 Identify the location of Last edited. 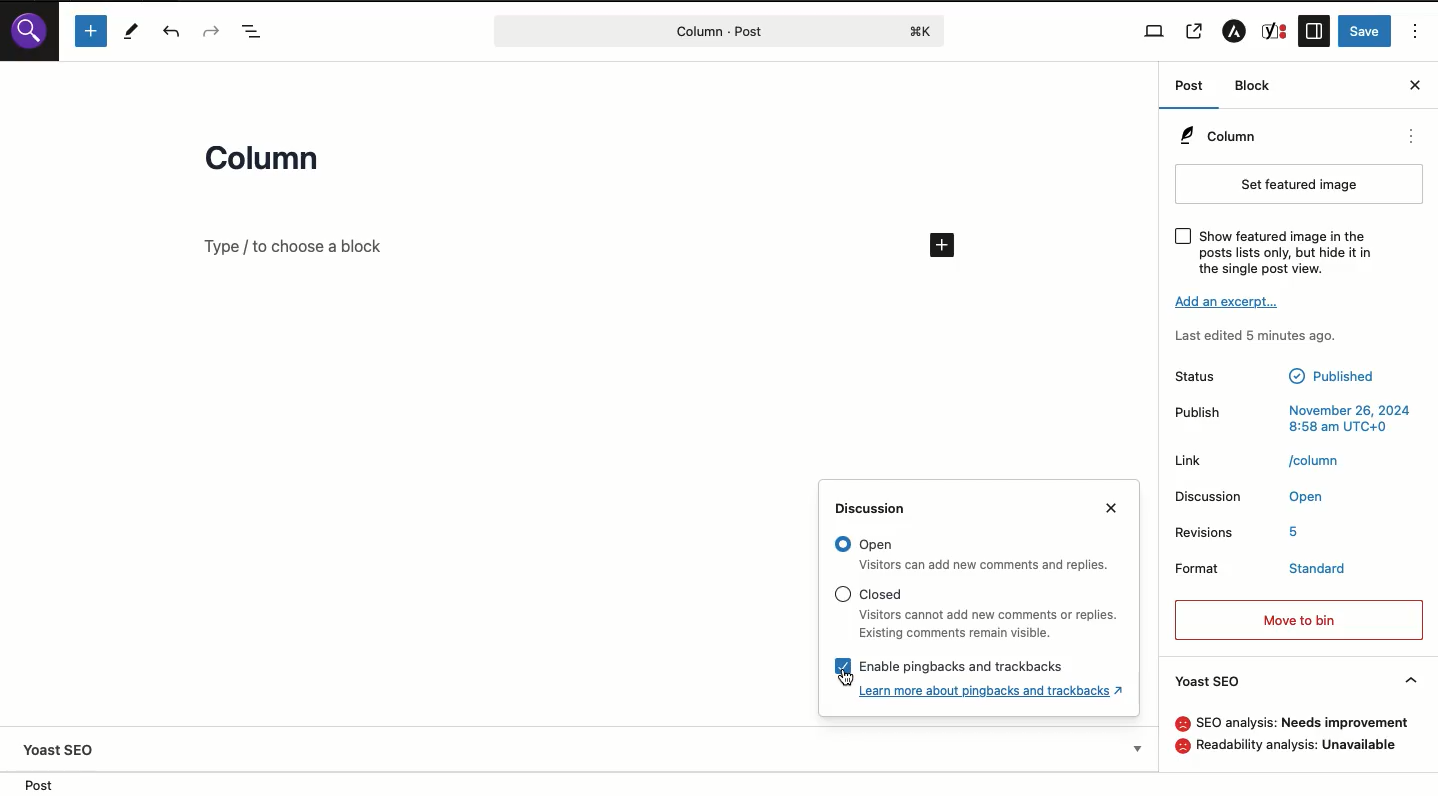
(1257, 338).